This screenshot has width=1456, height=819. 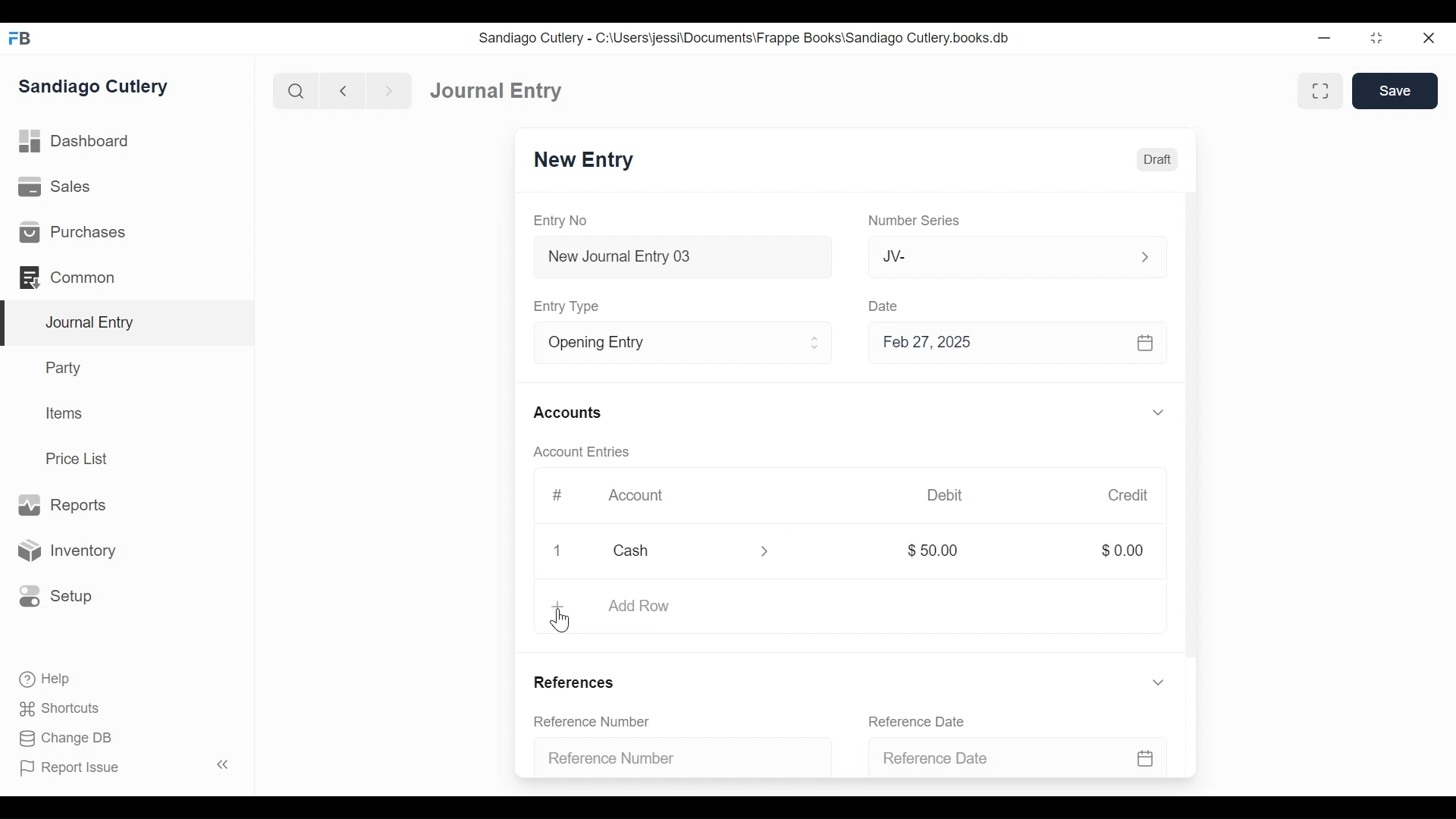 I want to click on References, so click(x=580, y=680).